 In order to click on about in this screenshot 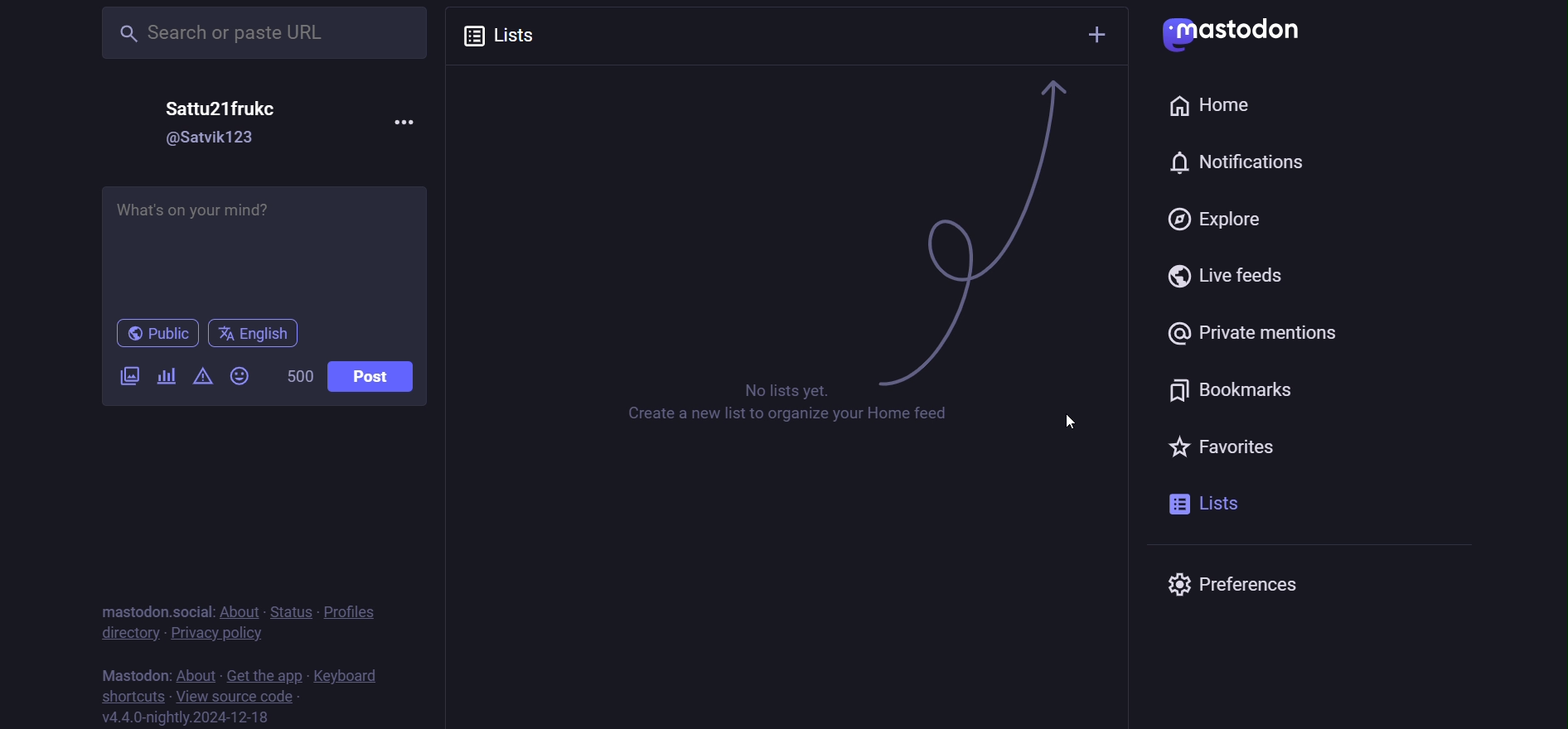, I will do `click(196, 672)`.